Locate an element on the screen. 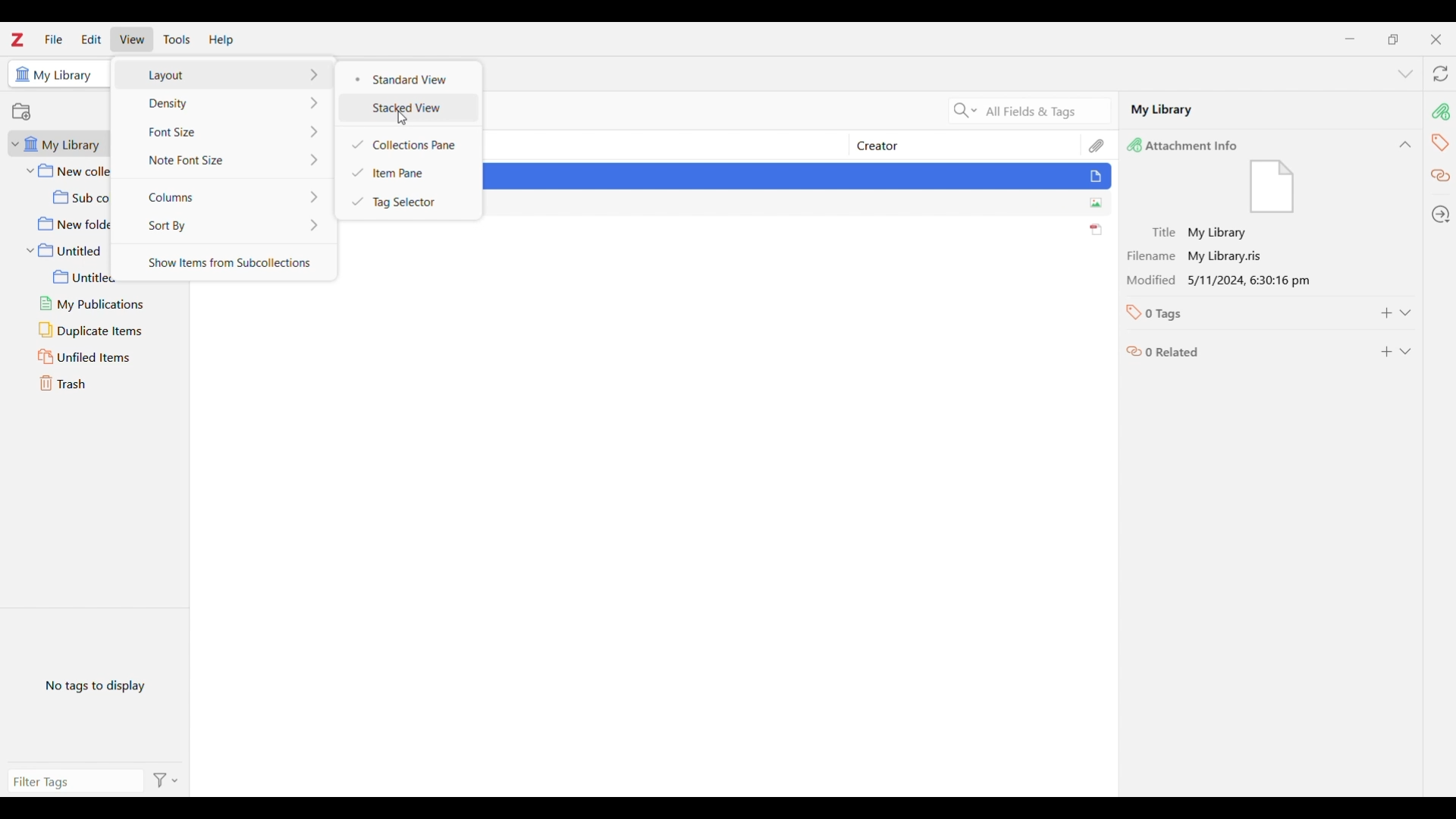  File icon is located at coordinates (1098, 178).